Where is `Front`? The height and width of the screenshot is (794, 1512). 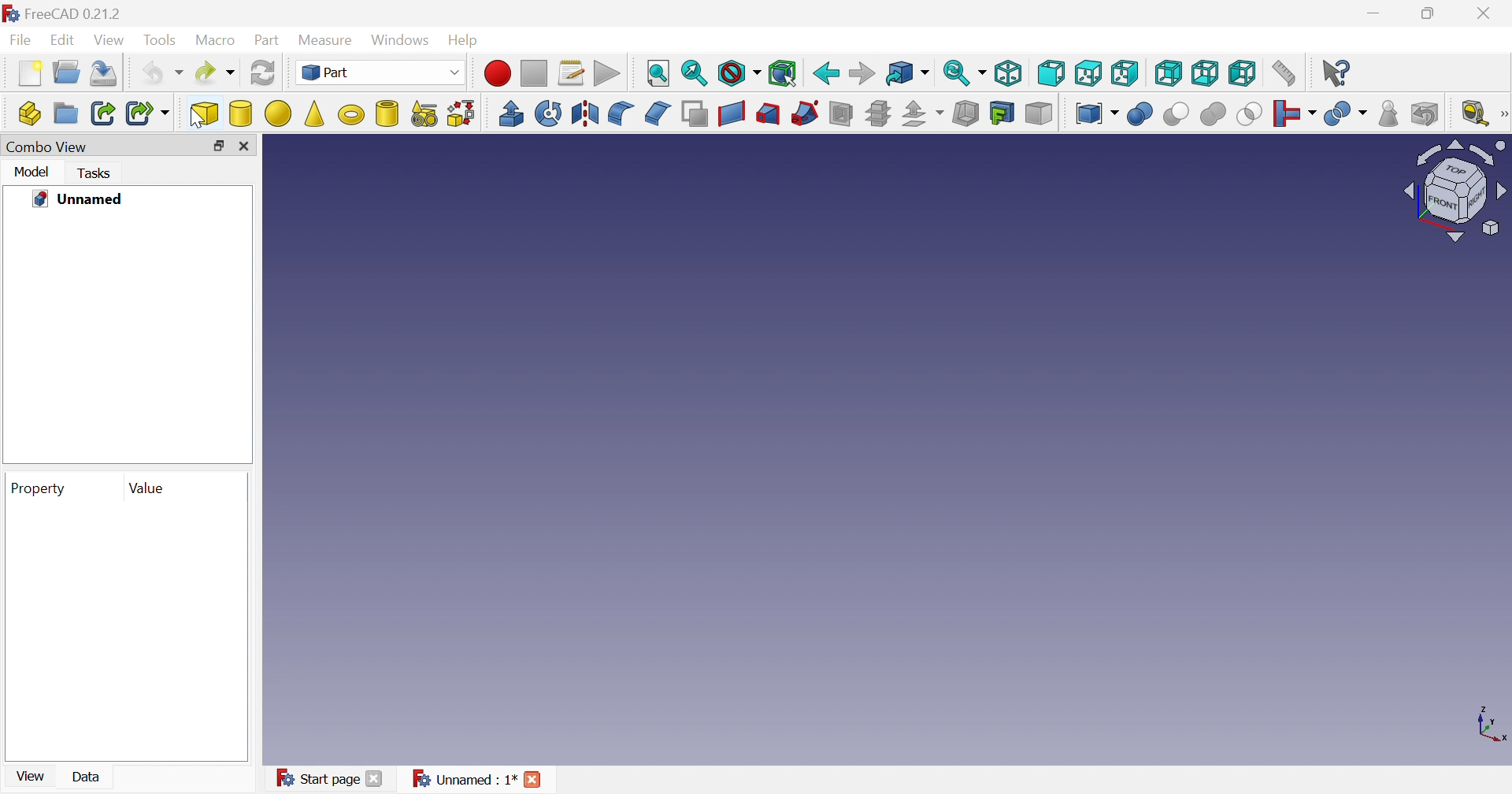
Front is located at coordinates (1051, 74).